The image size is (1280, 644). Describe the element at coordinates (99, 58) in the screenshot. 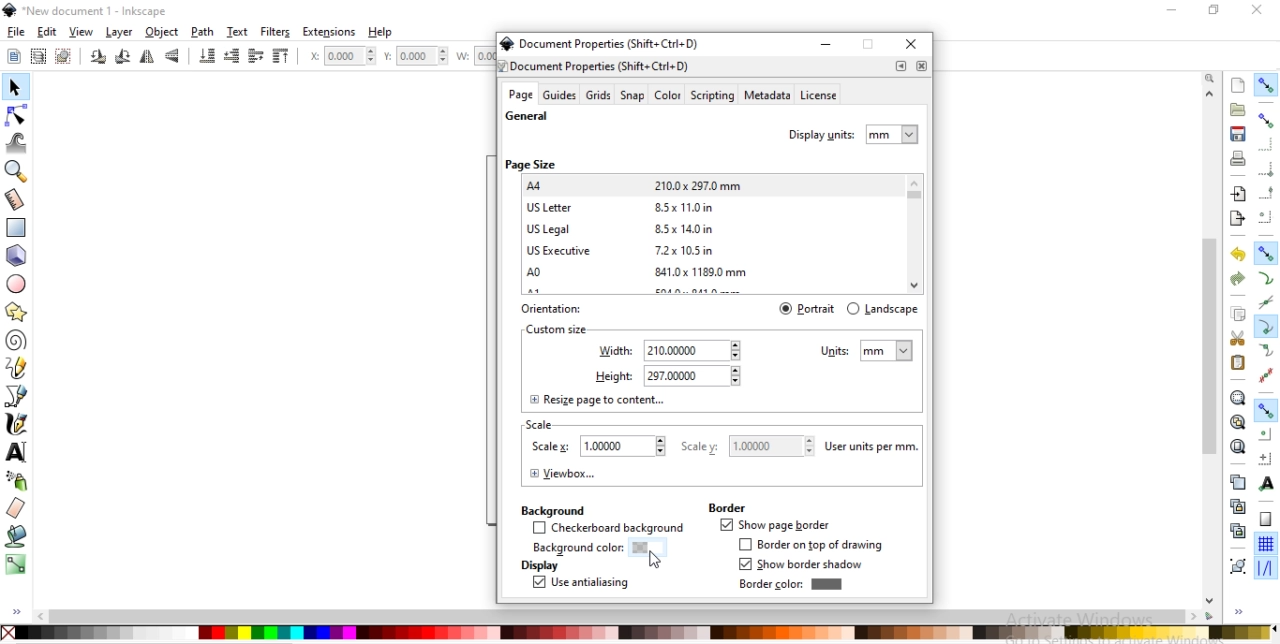

I see `rotate 90 clockwise` at that location.